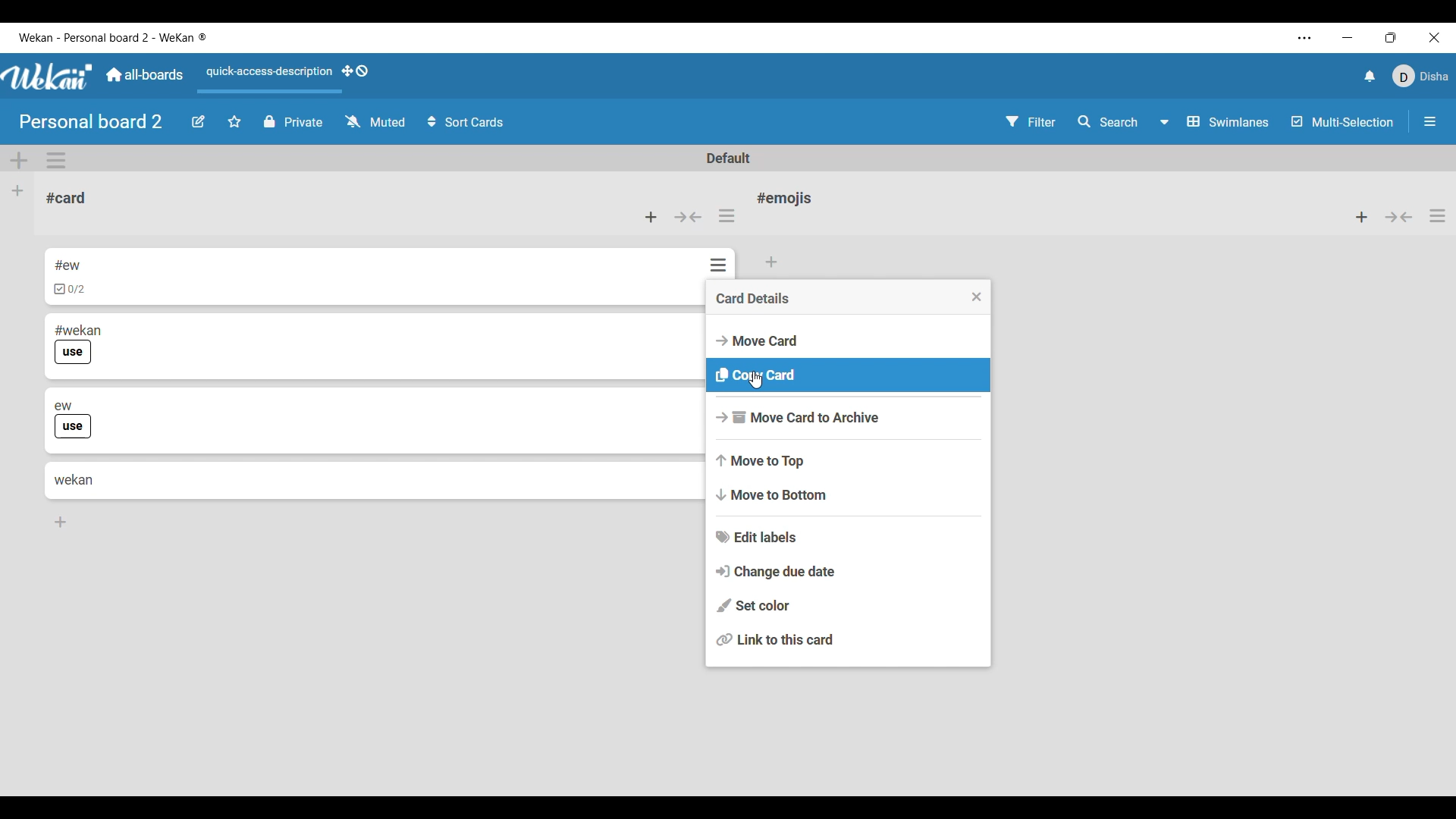  What do you see at coordinates (838, 299) in the screenshot?
I see `Card details` at bounding box center [838, 299].